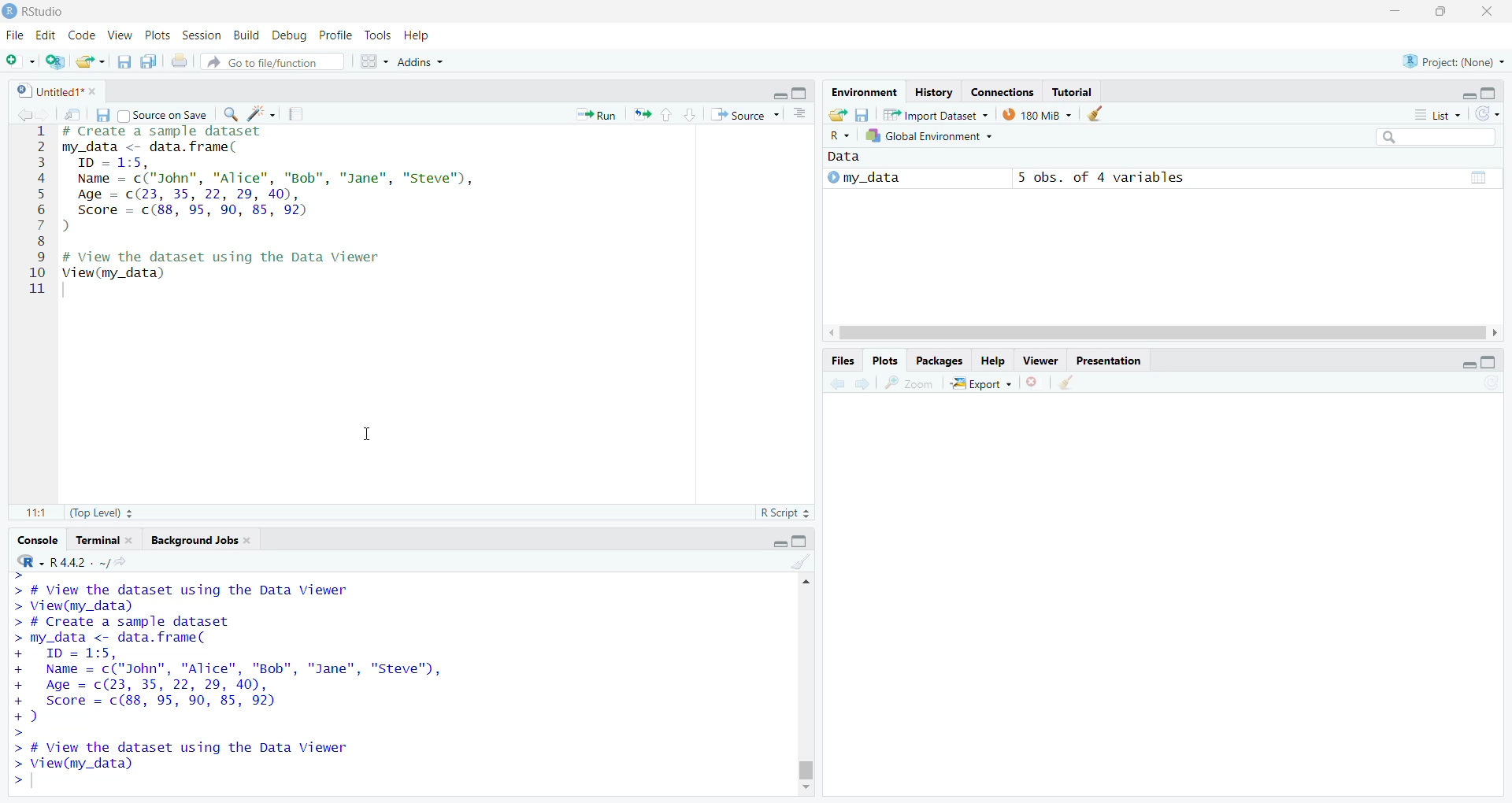  Describe the element at coordinates (1073, 383) in the screenshot. I see `Clear object for workspaces` at that location.